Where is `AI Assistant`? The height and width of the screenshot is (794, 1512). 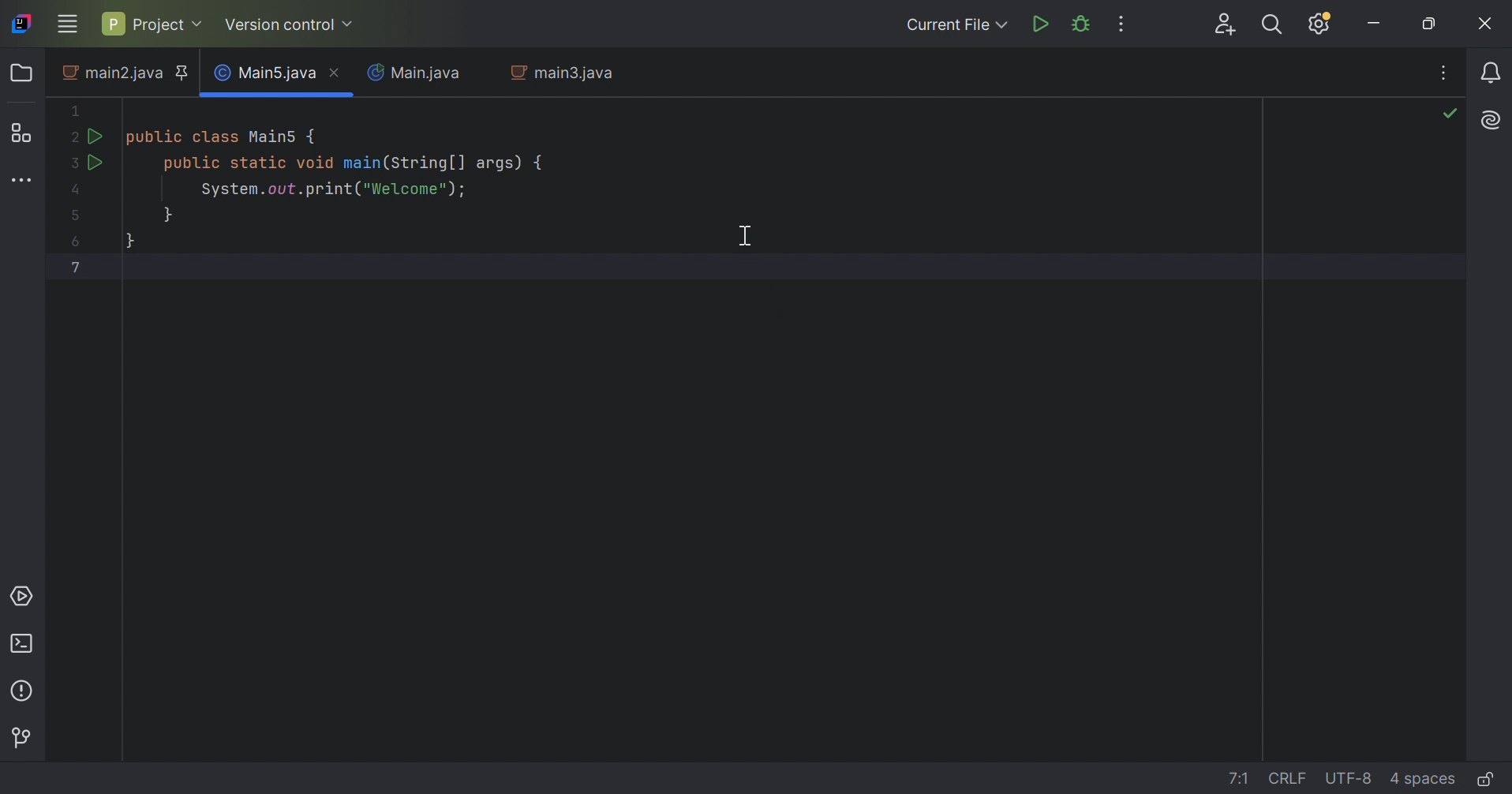
AI Assistant is located at coordinates (1491, 122).